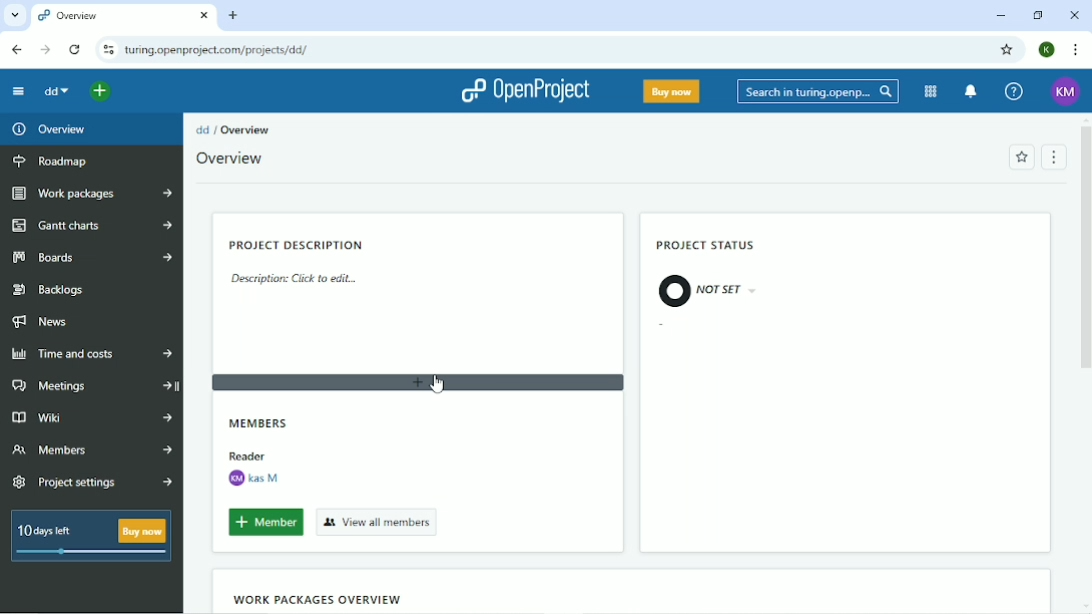 This screenshot has height=614, width=1092. I want to click on Members, so click(93, 451).